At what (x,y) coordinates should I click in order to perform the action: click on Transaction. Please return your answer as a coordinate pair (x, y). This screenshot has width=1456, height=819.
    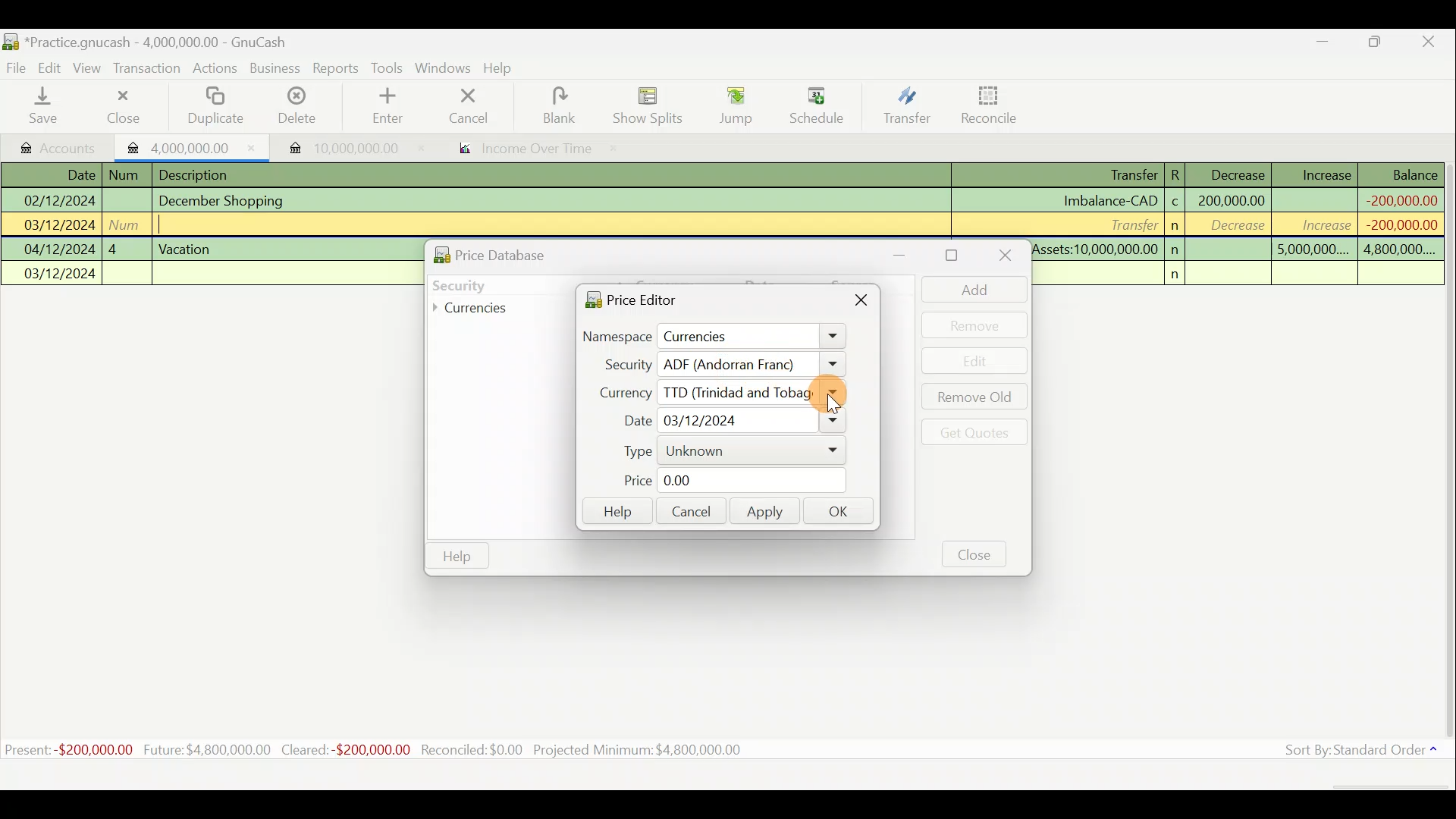
    Looking at the image, I should click on (151, 70).